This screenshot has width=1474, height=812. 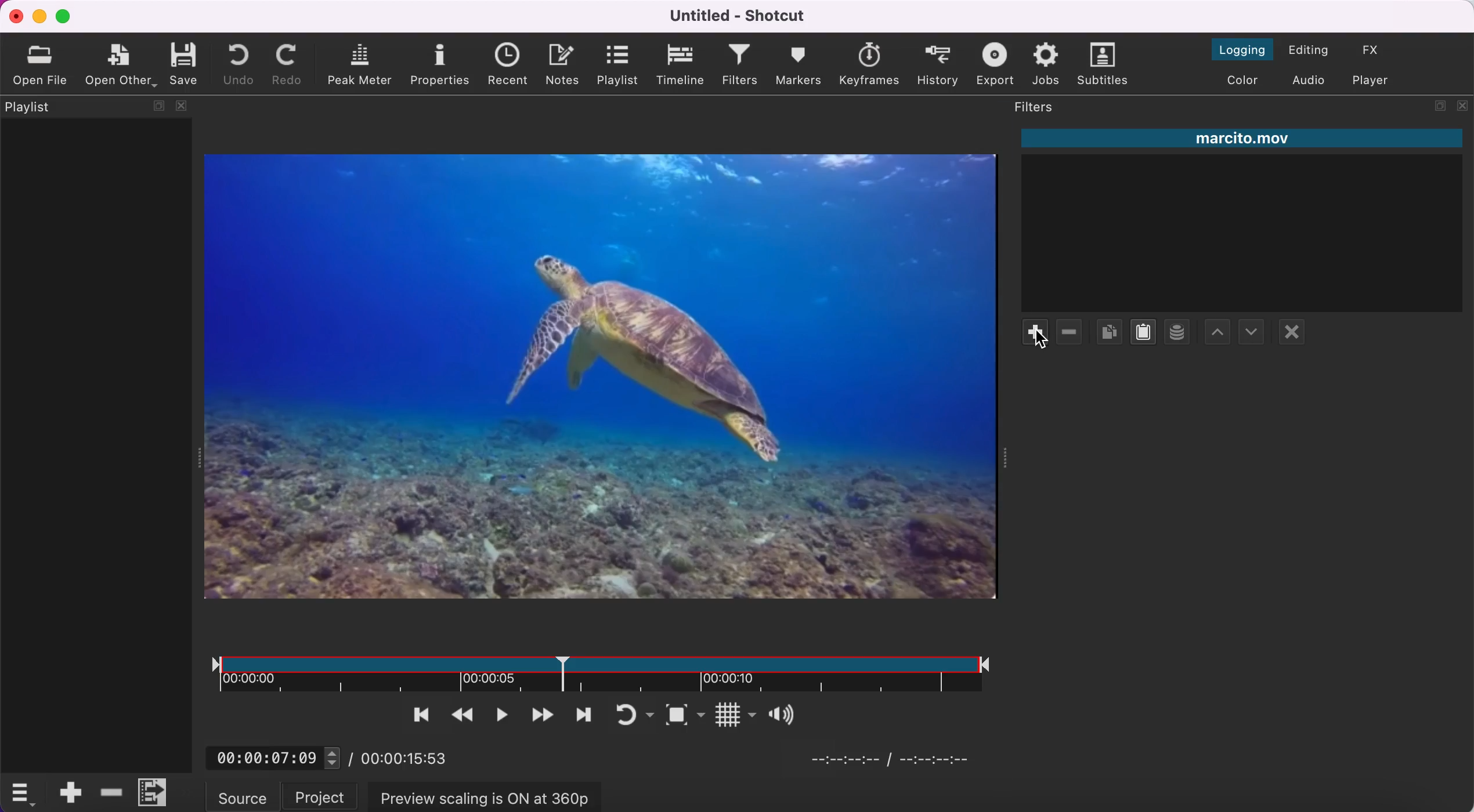 I want to click on timeline, so click(x=680, y=64).